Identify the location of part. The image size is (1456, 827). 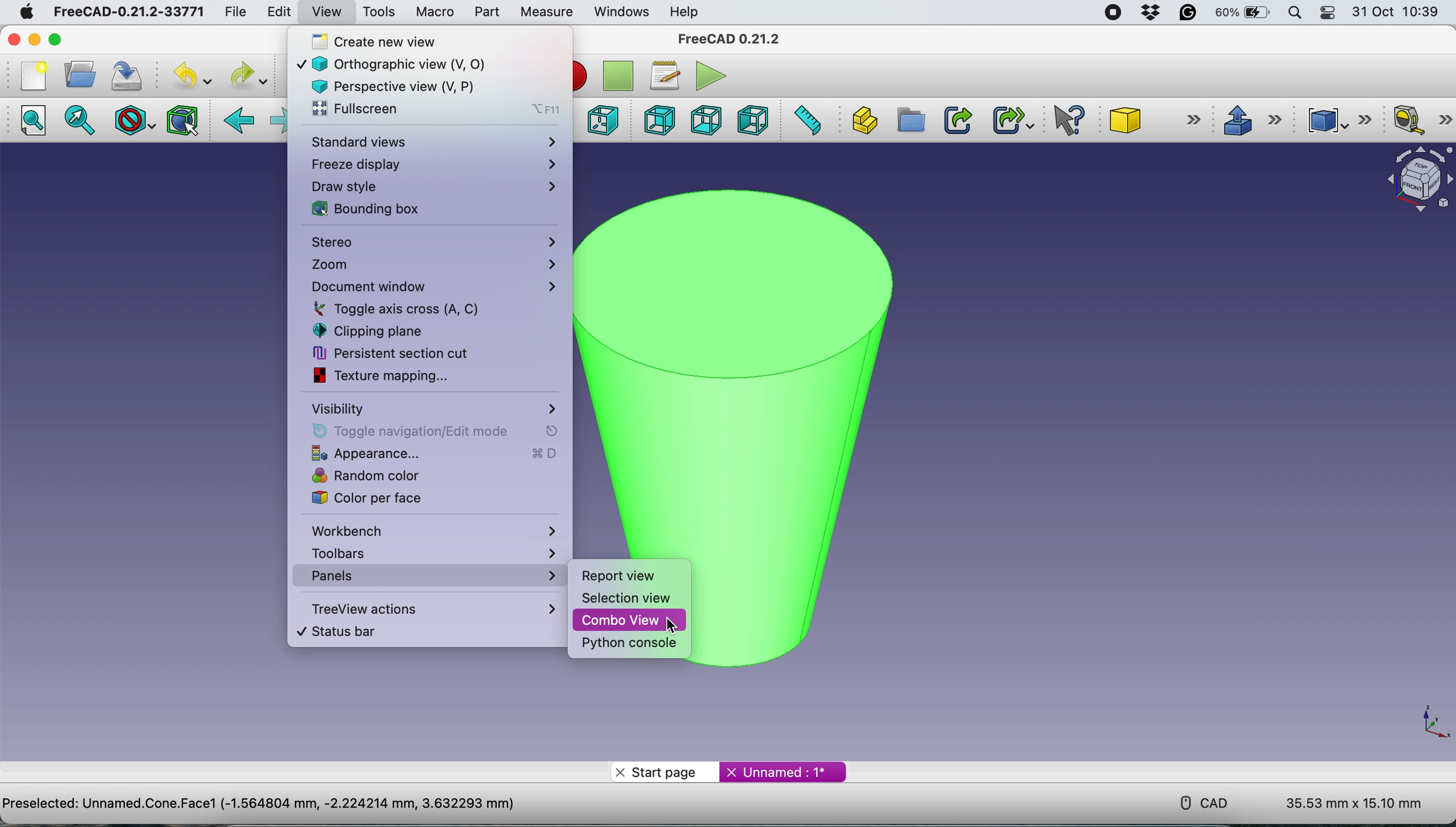
(484, 12).